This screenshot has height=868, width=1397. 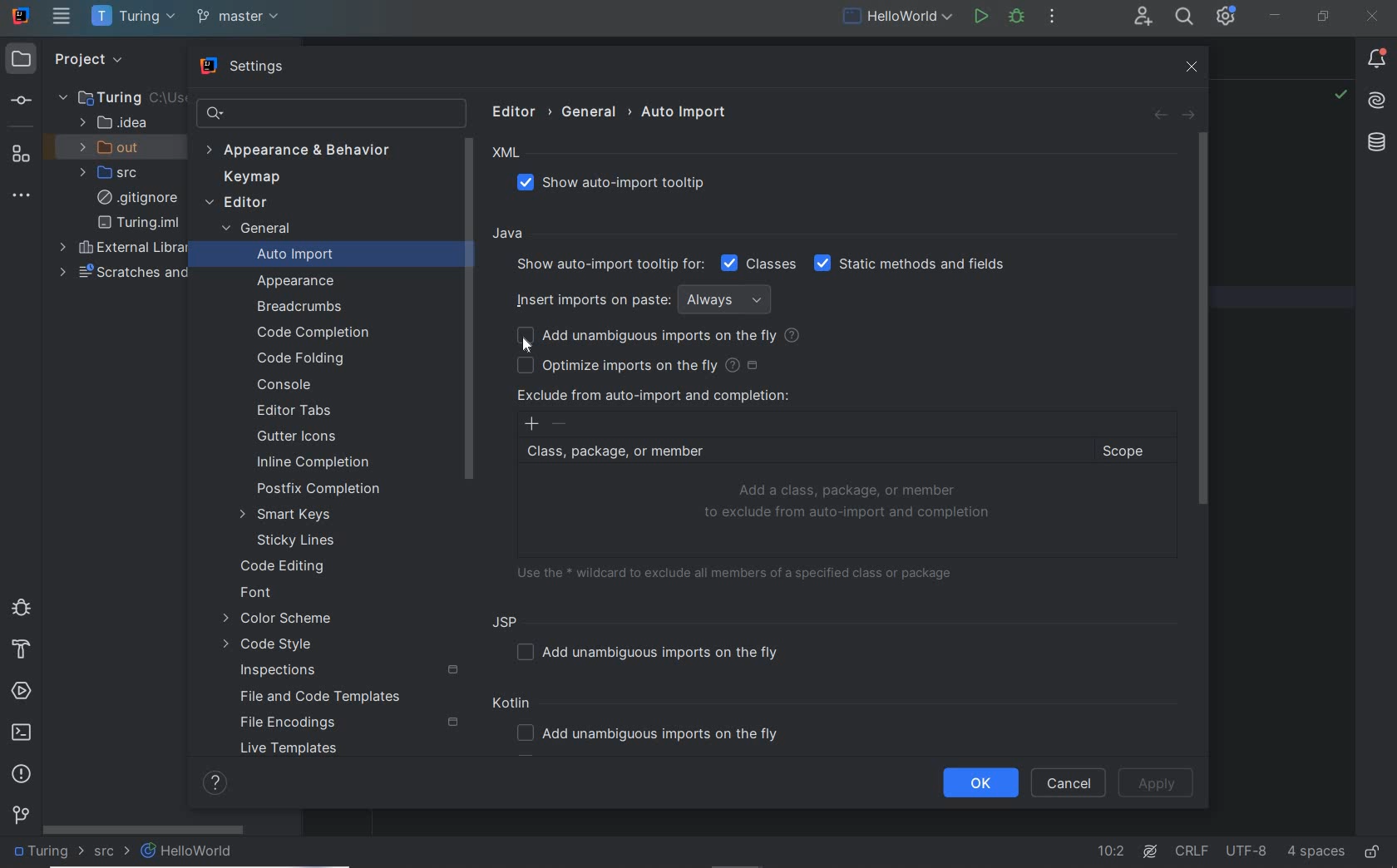 What do you see at coordinates (469, 307) in the screenshot?
I see `Scrollbar` at bounding box center [469, 307].